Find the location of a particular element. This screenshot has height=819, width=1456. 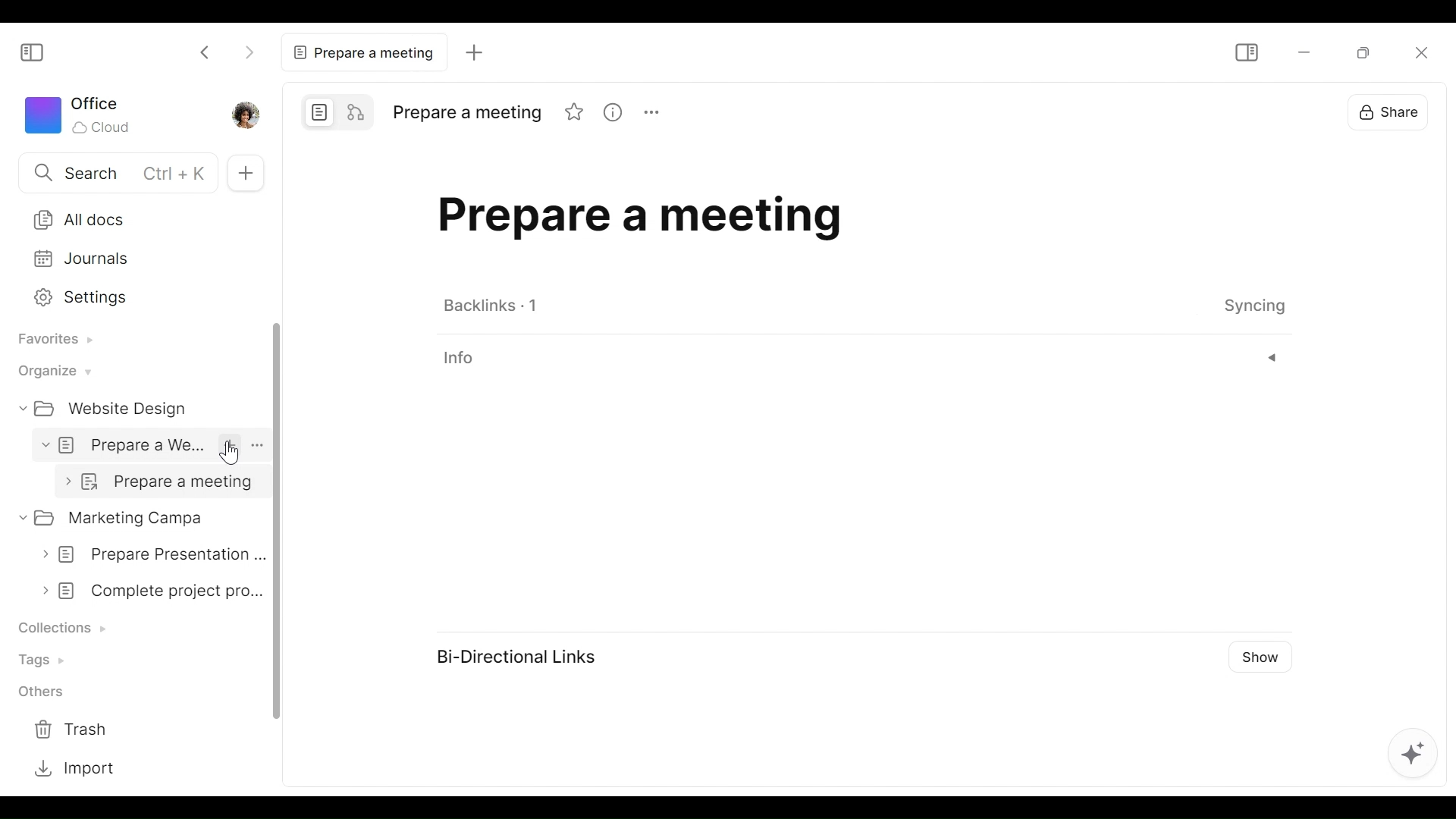

Import is located at coordinates (71, 767).